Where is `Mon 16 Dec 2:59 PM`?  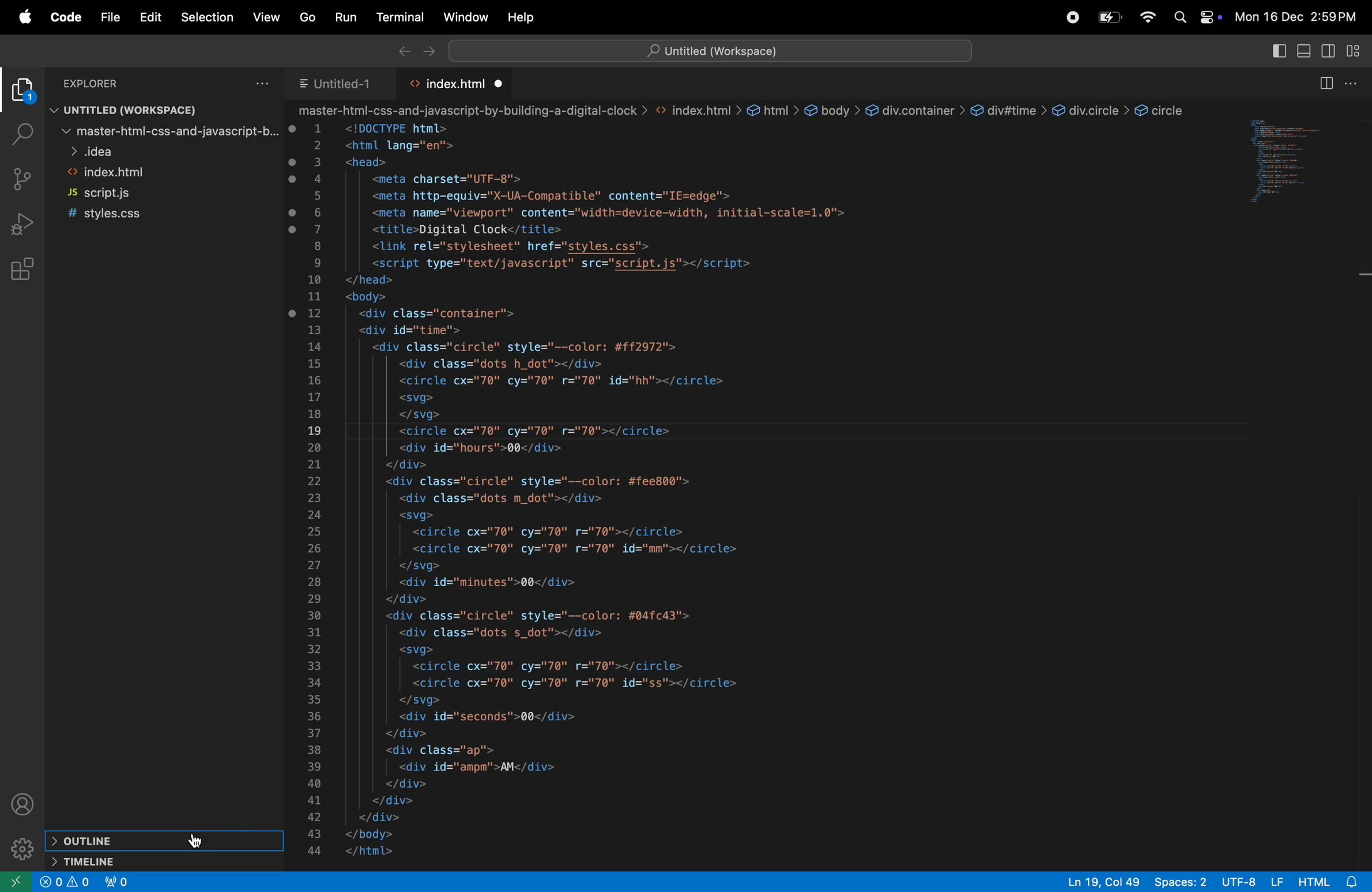
Mon 16 Dec 2:59 PM is located at coordinates (1298, 18).